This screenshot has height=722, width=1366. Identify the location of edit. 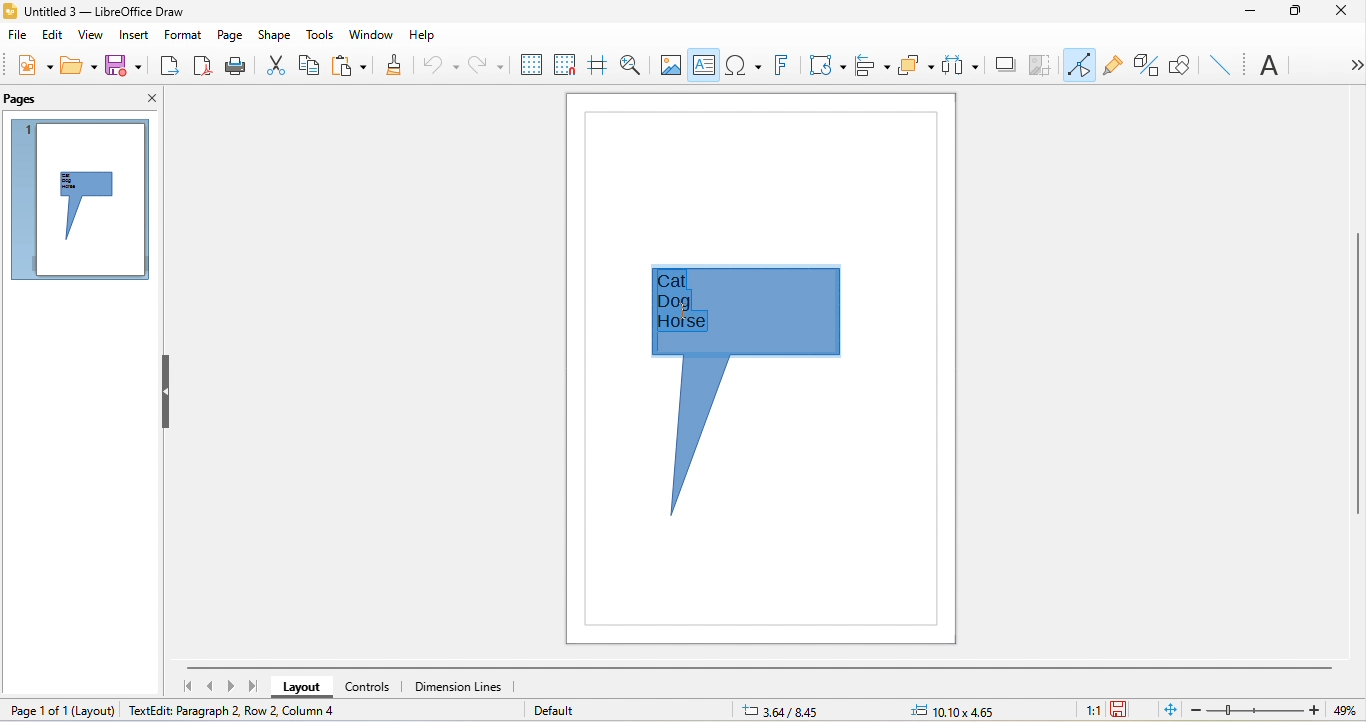
(52, 34).